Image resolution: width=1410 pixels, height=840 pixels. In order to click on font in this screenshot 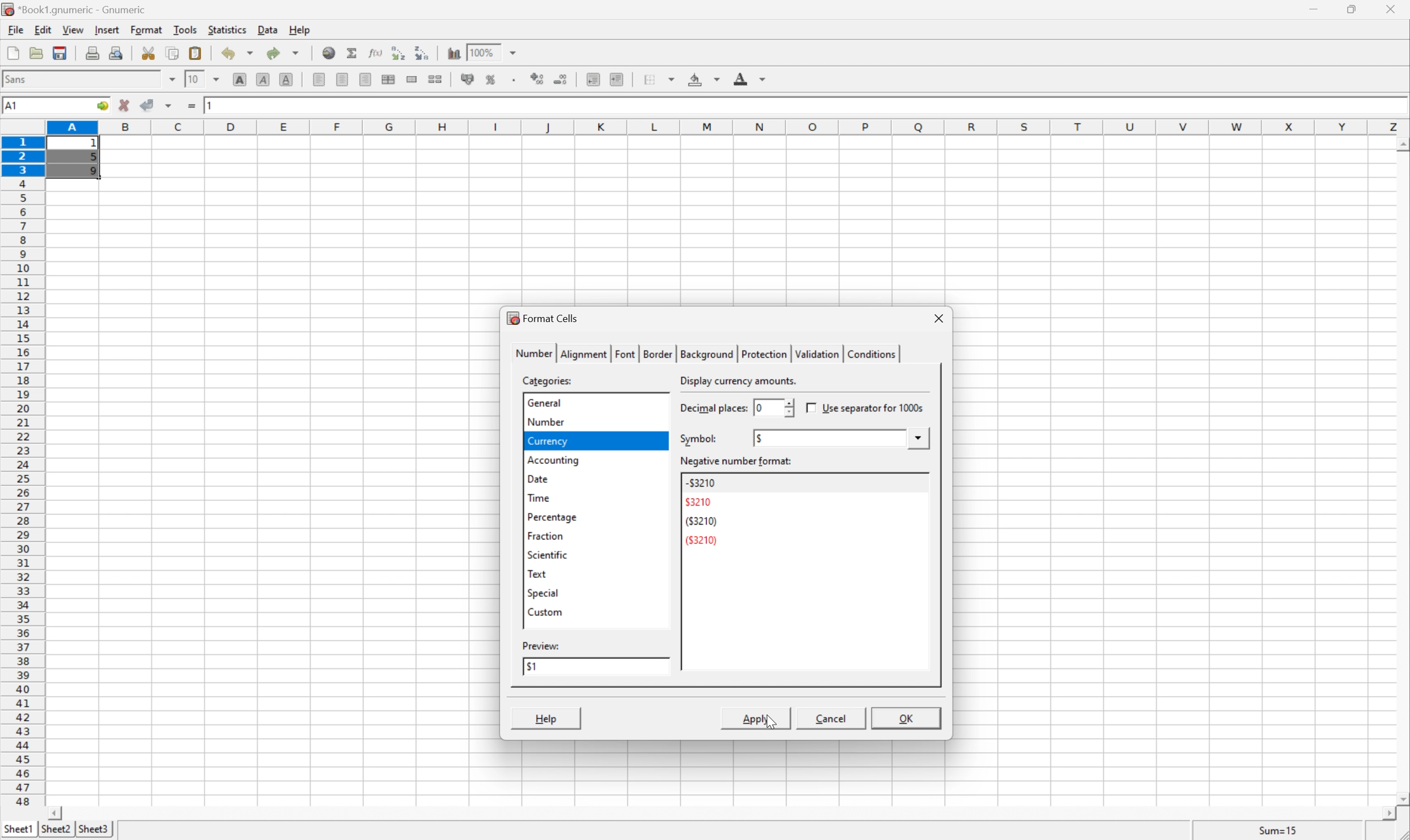, I will do `click(625, 353)`.